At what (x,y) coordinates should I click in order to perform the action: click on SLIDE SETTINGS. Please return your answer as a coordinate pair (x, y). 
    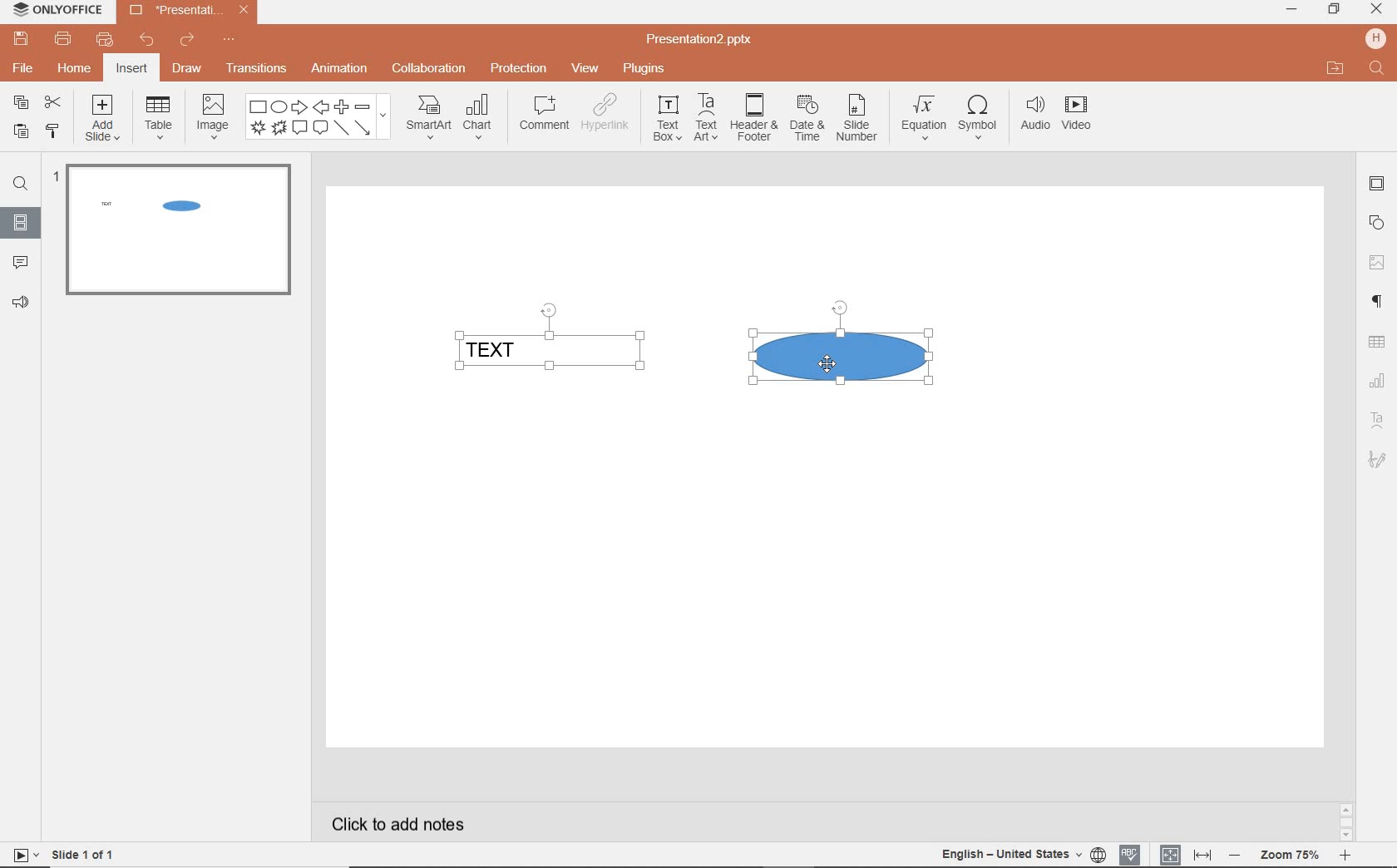
    Looking at the image, I should click on (1377, 185).